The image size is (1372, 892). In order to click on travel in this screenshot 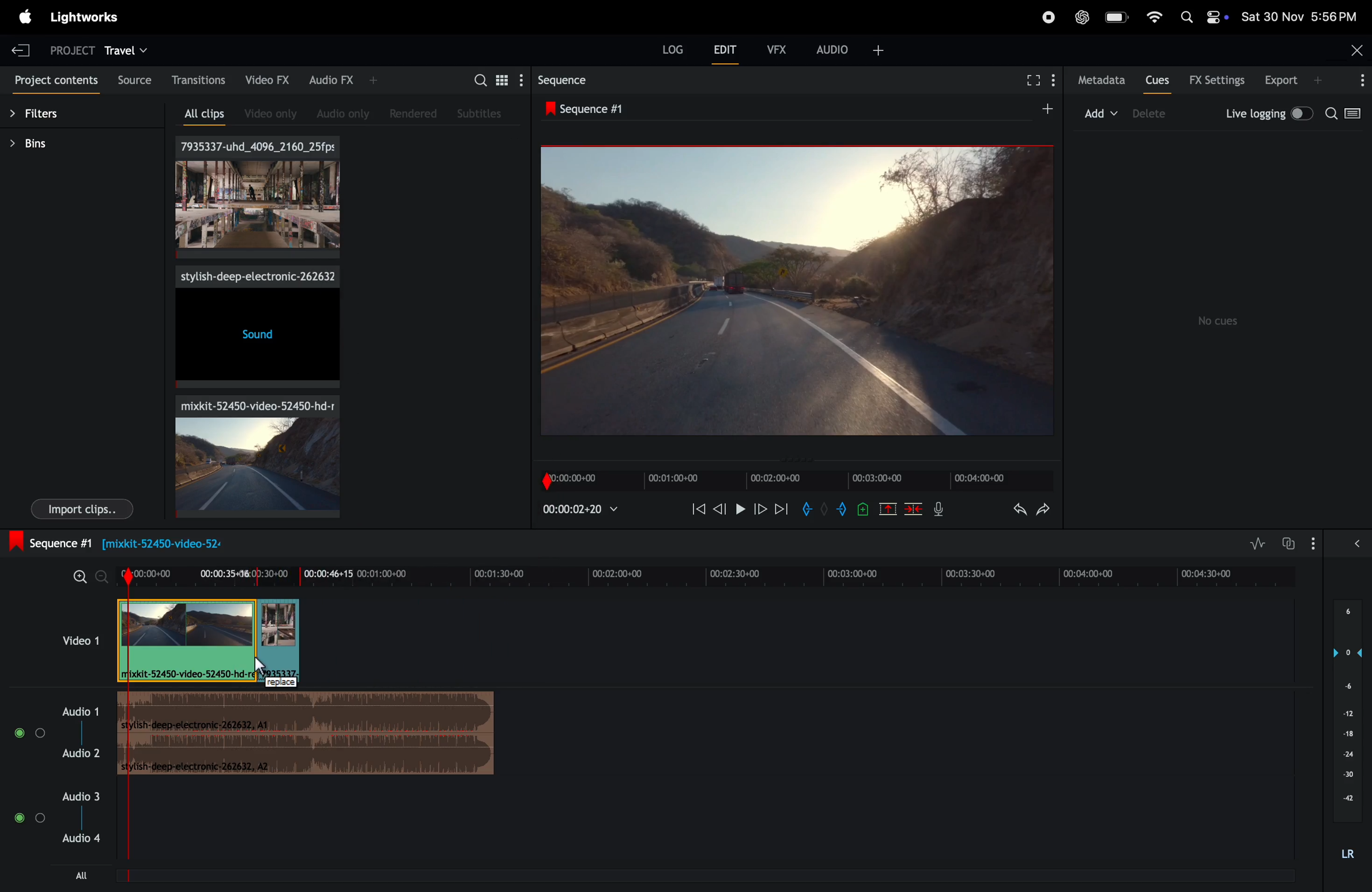, I will do `click(128, 50)`.